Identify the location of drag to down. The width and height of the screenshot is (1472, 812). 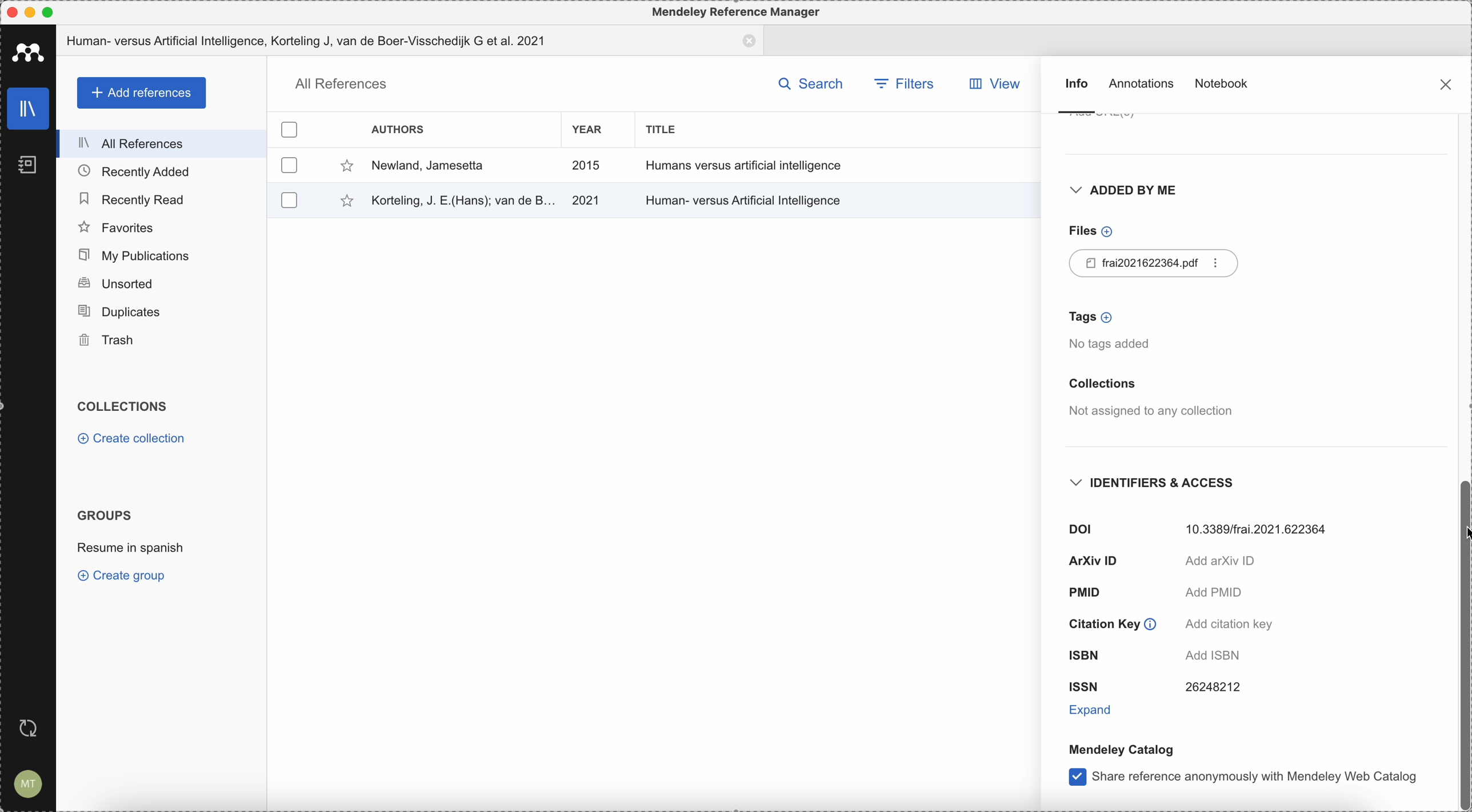
(1462, 646).